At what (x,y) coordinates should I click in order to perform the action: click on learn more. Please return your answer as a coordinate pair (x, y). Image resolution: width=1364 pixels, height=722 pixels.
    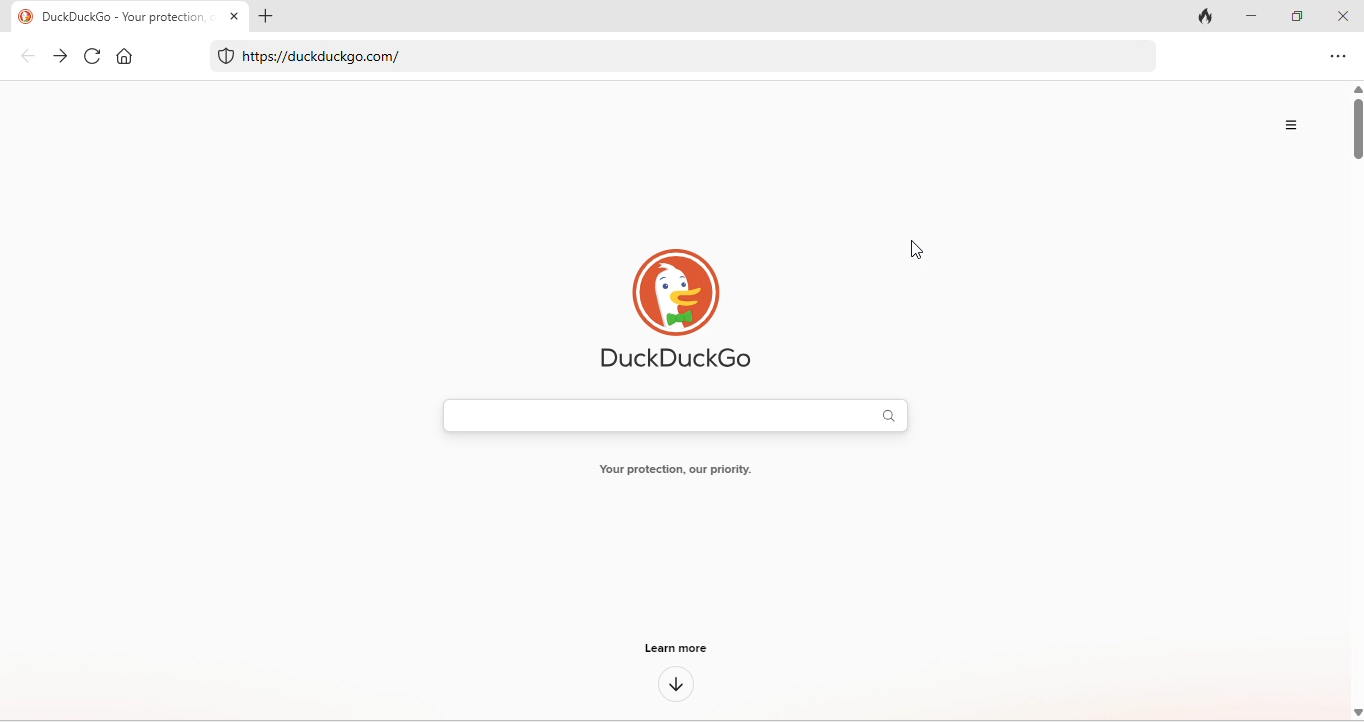
    Looking at the image, I should click on (677, 647).